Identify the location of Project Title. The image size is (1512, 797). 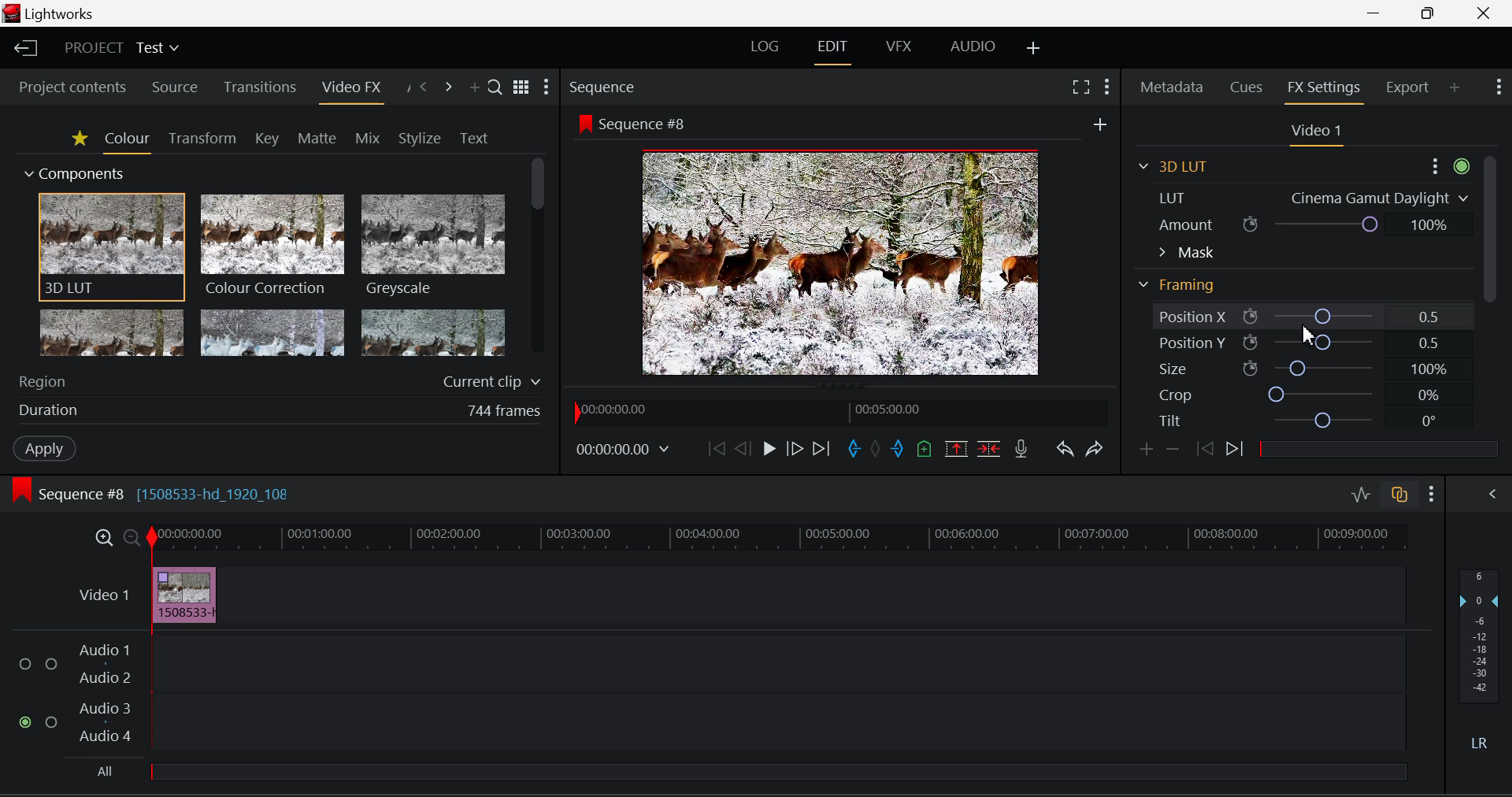
(123, 46).